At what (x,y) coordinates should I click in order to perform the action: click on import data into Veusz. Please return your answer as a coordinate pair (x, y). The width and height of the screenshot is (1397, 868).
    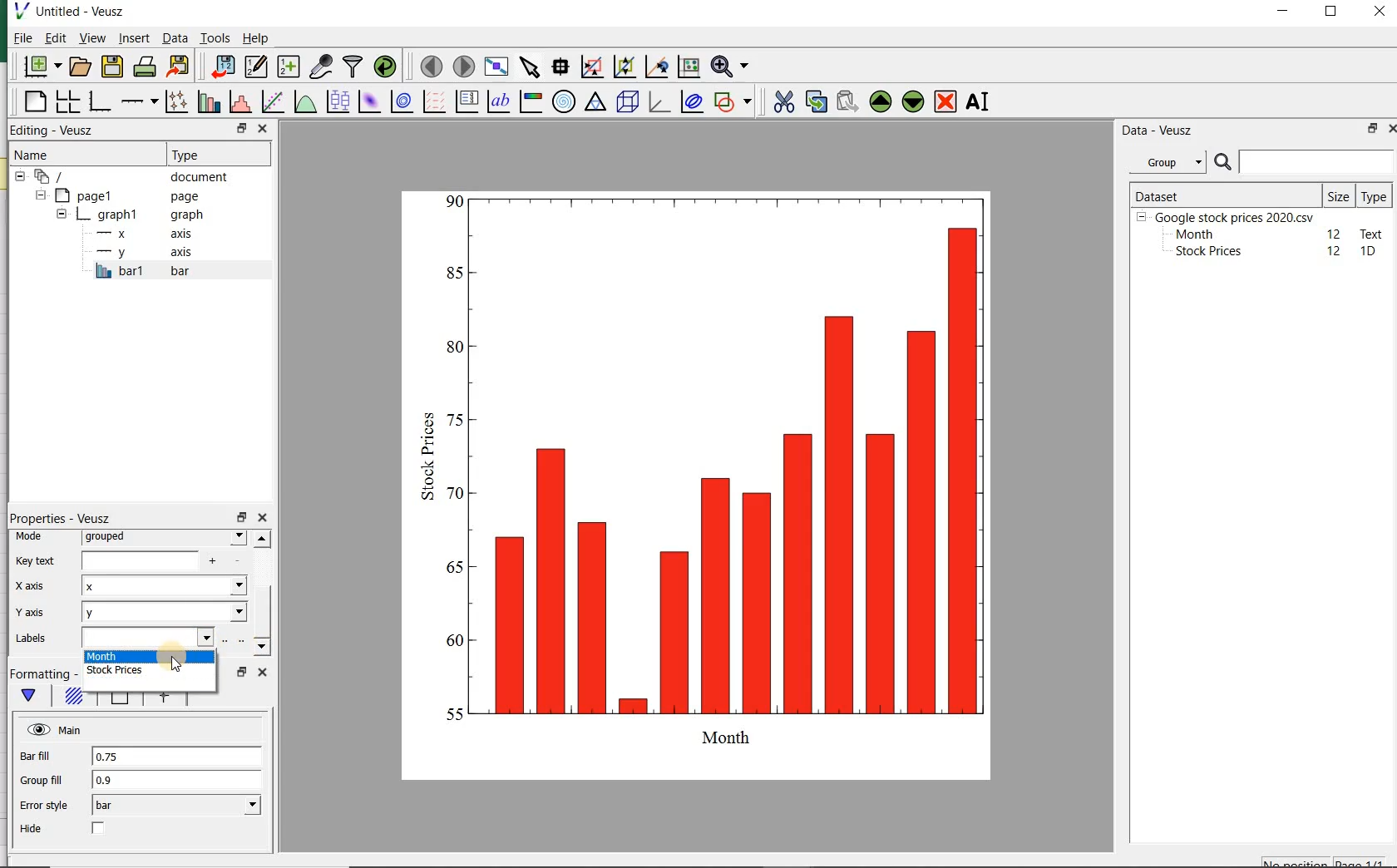
    Looking at the image, I should click on (220, 67).